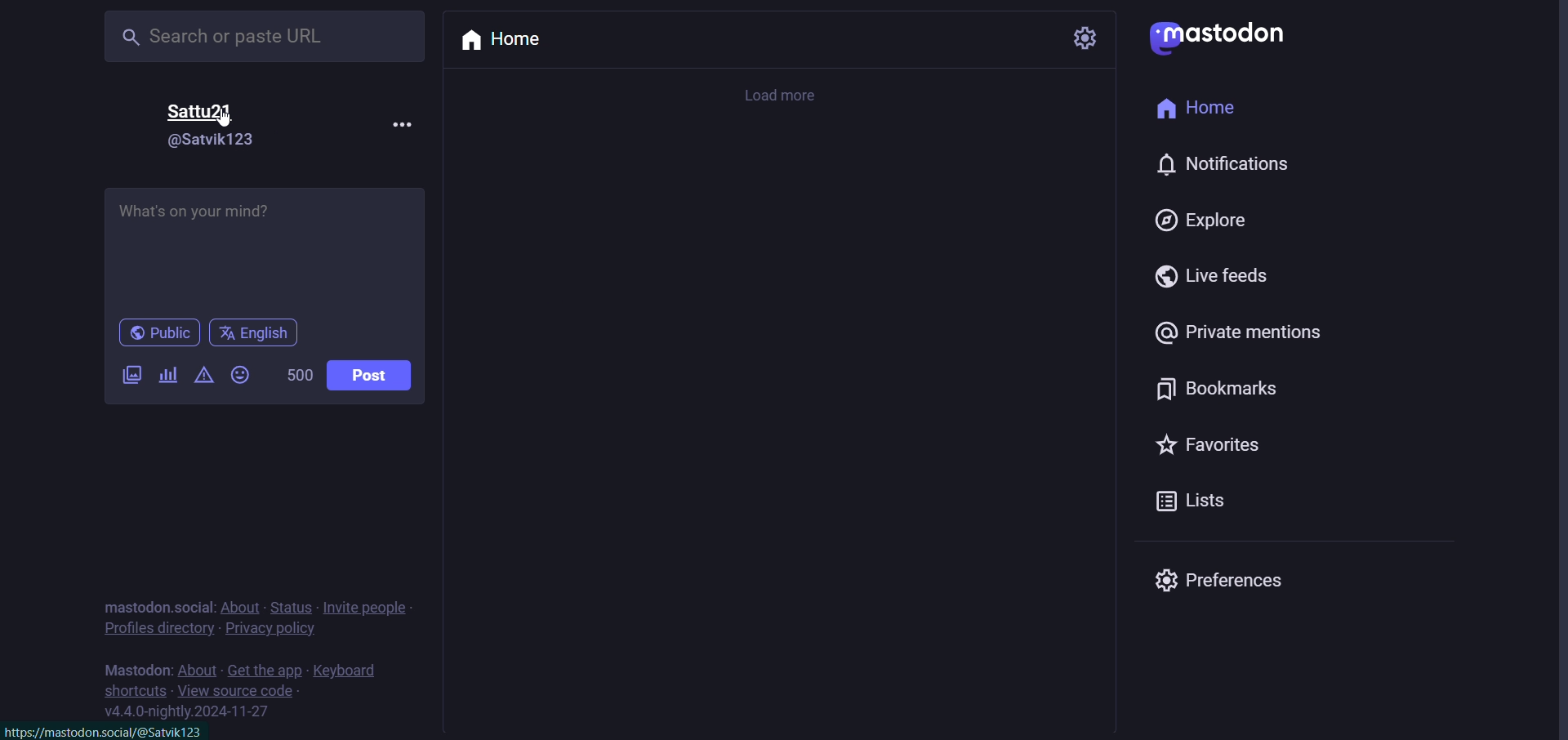 Image resolution: width=1568 pixels, height=740 pixels. I want to click on setting, so click(1085, 38).